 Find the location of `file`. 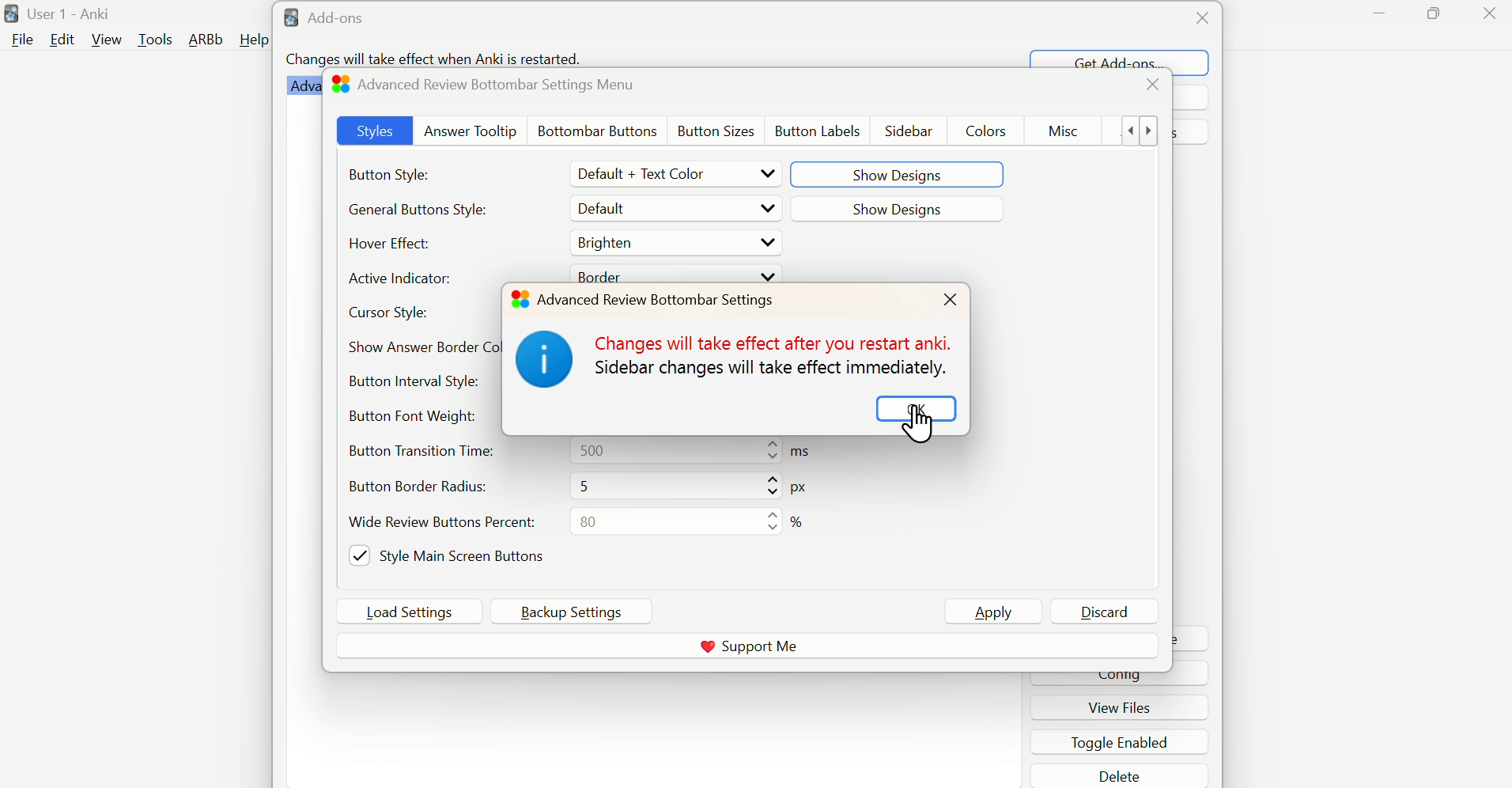

file is located at coordinates (19, 44).